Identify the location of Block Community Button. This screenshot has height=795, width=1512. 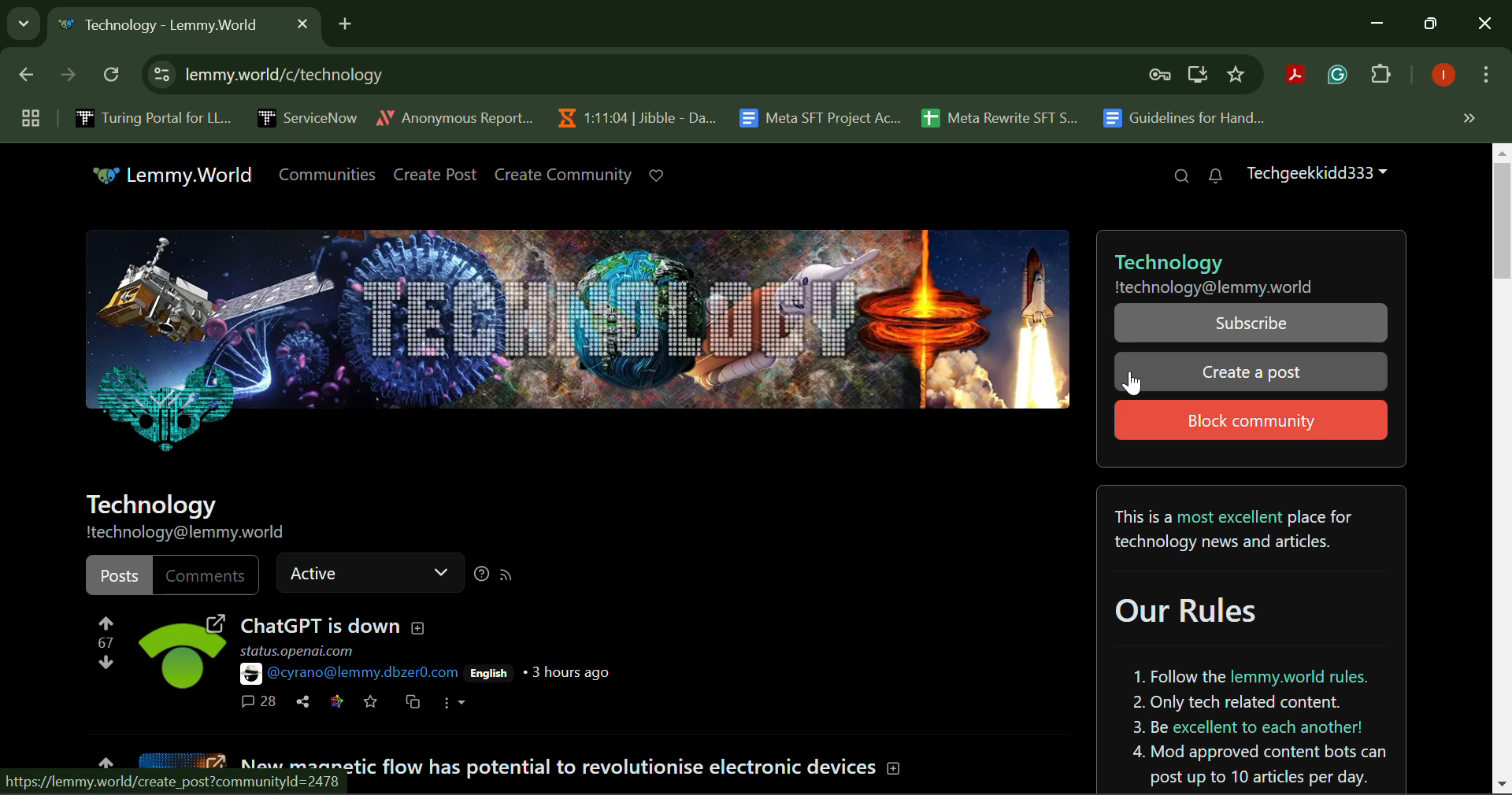
(1247, 419).